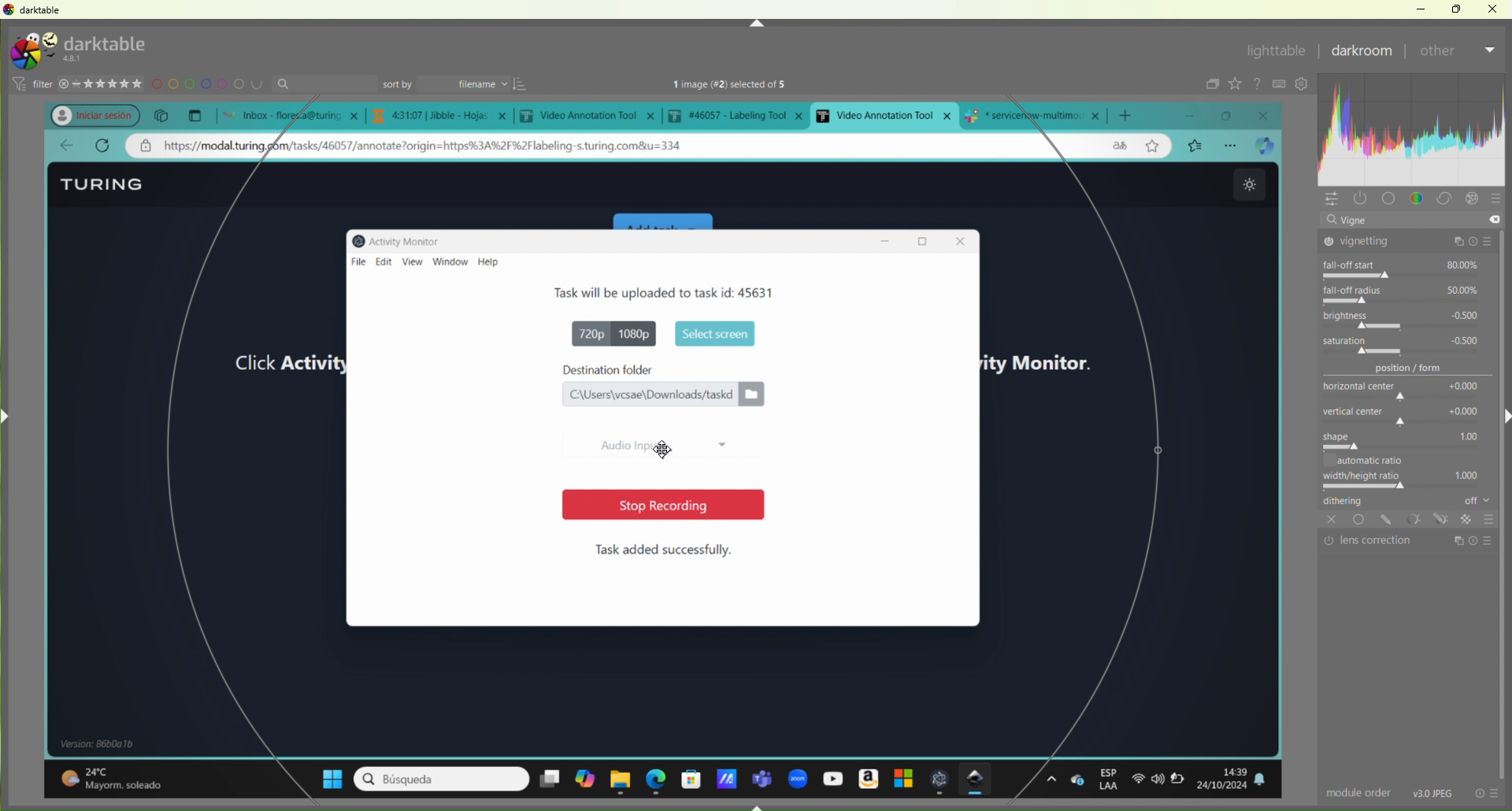 This screenshot has height=811, width=1512. What do you see at coordinates (30, 84) in the screenshot?
I see `filter` at bounding box center [30, 84].